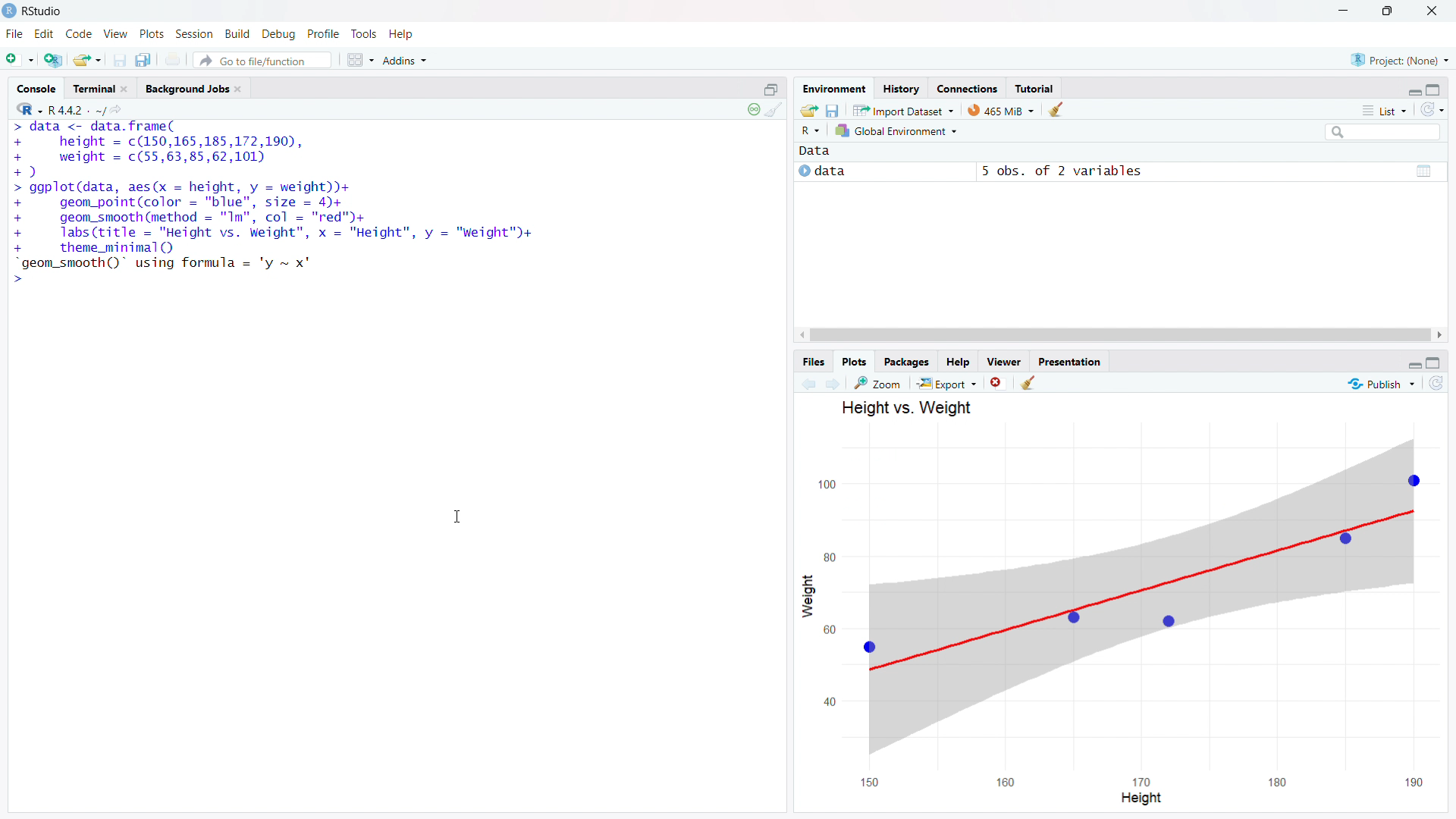  What do you see at coordinates (1436, 383) in the screenshot?
I see `refresh` at bounding box center [1436, 383].